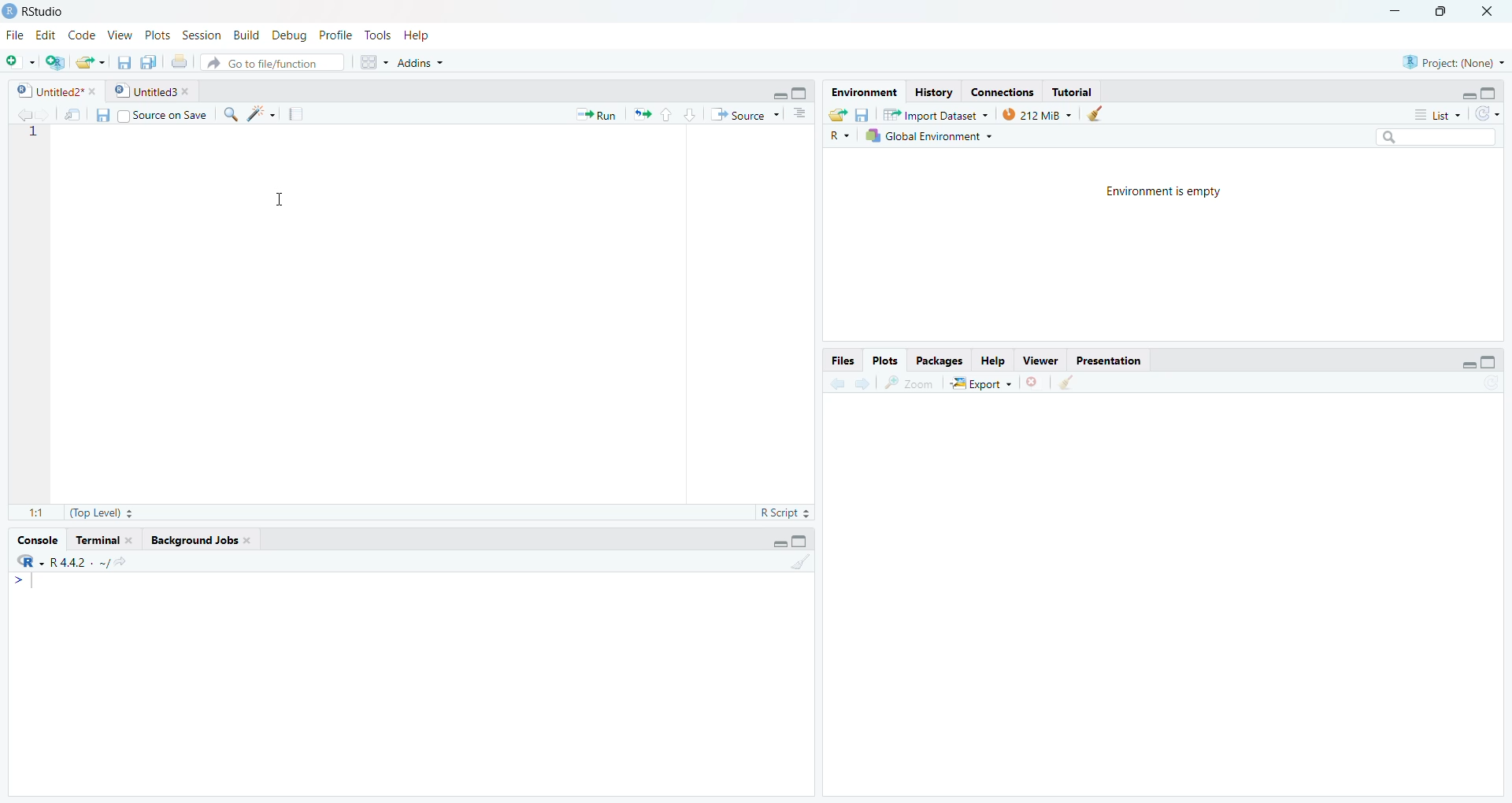 This screenshot has height=803, width=1512. Describe the element at coordinates (182, 63) in the screenshot. I see `print the current file` at that location.